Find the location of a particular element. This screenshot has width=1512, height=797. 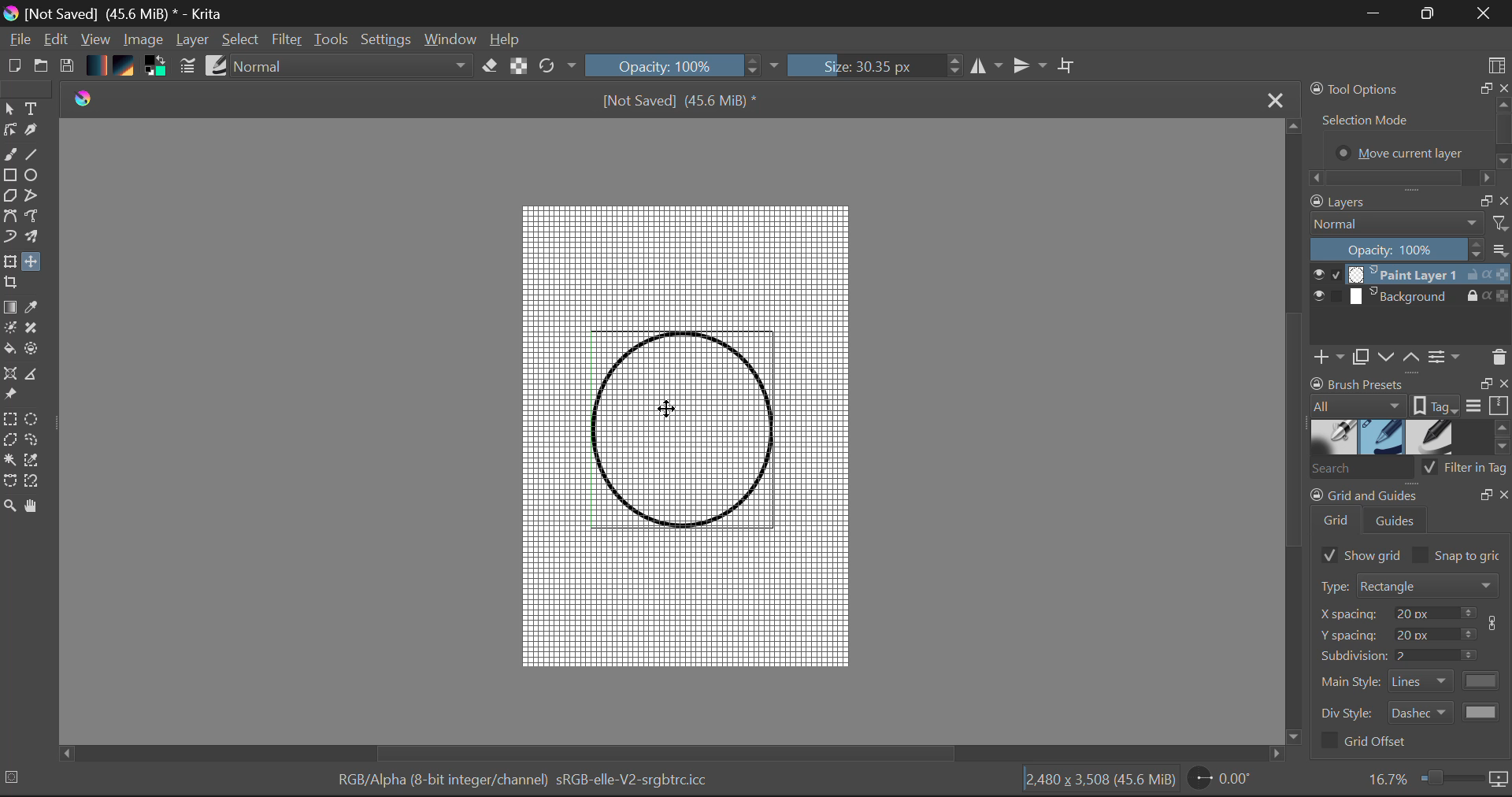

Magnetic Selection is located at coordinates (30, 481).